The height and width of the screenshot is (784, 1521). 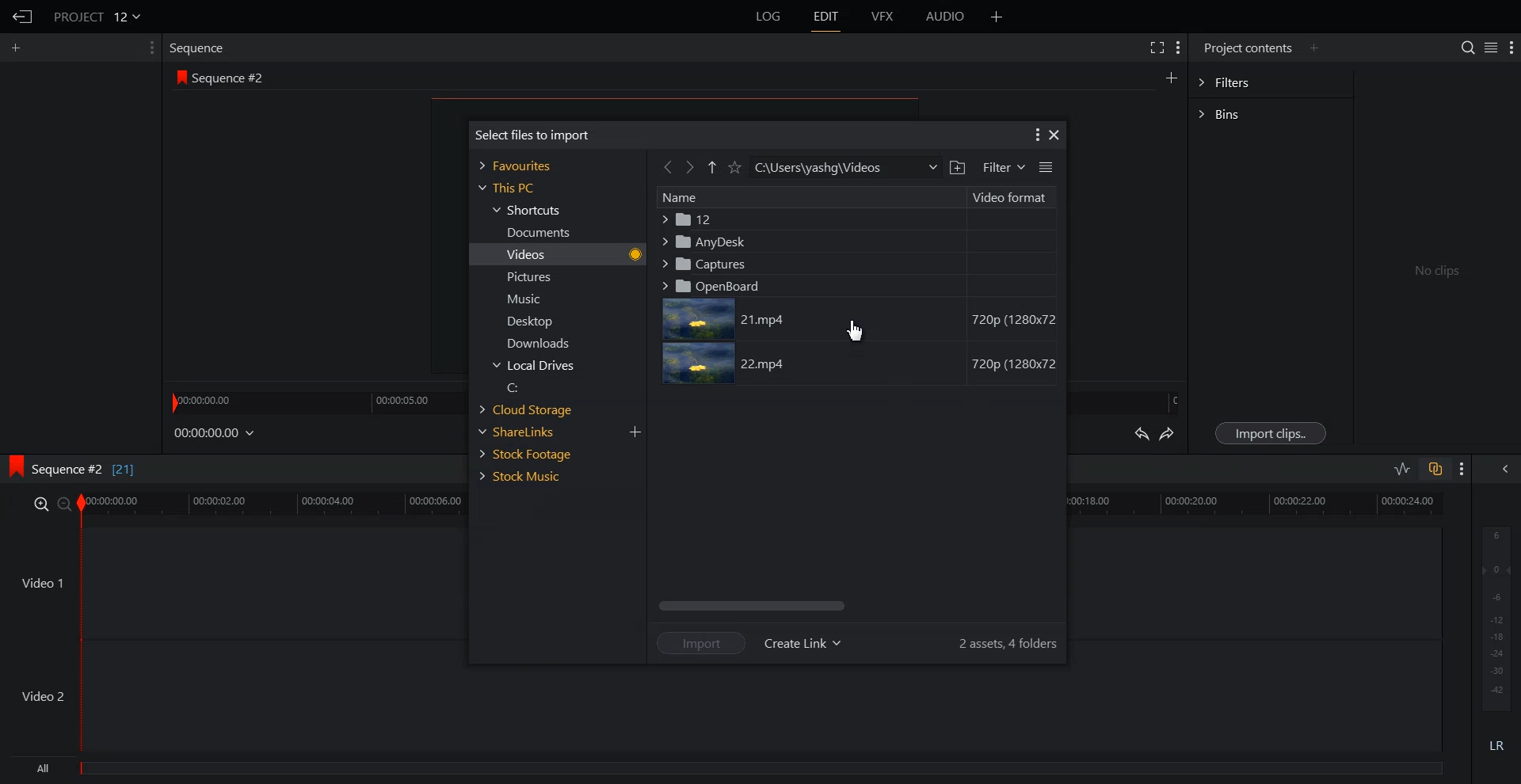 I want to click on Create Sequence, so click(x=1170, y=78).